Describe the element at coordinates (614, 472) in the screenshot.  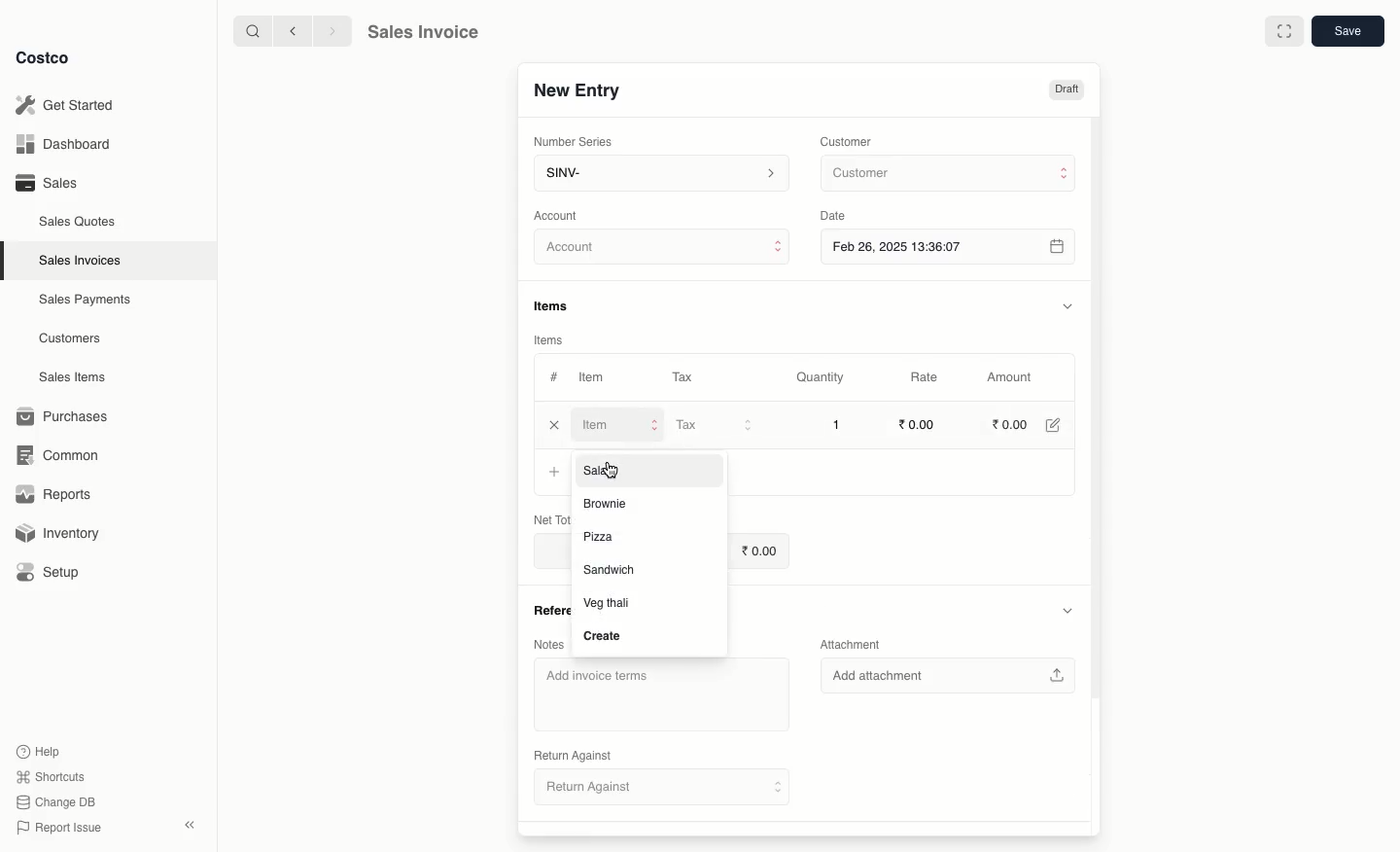
I see `cursor` at that location.